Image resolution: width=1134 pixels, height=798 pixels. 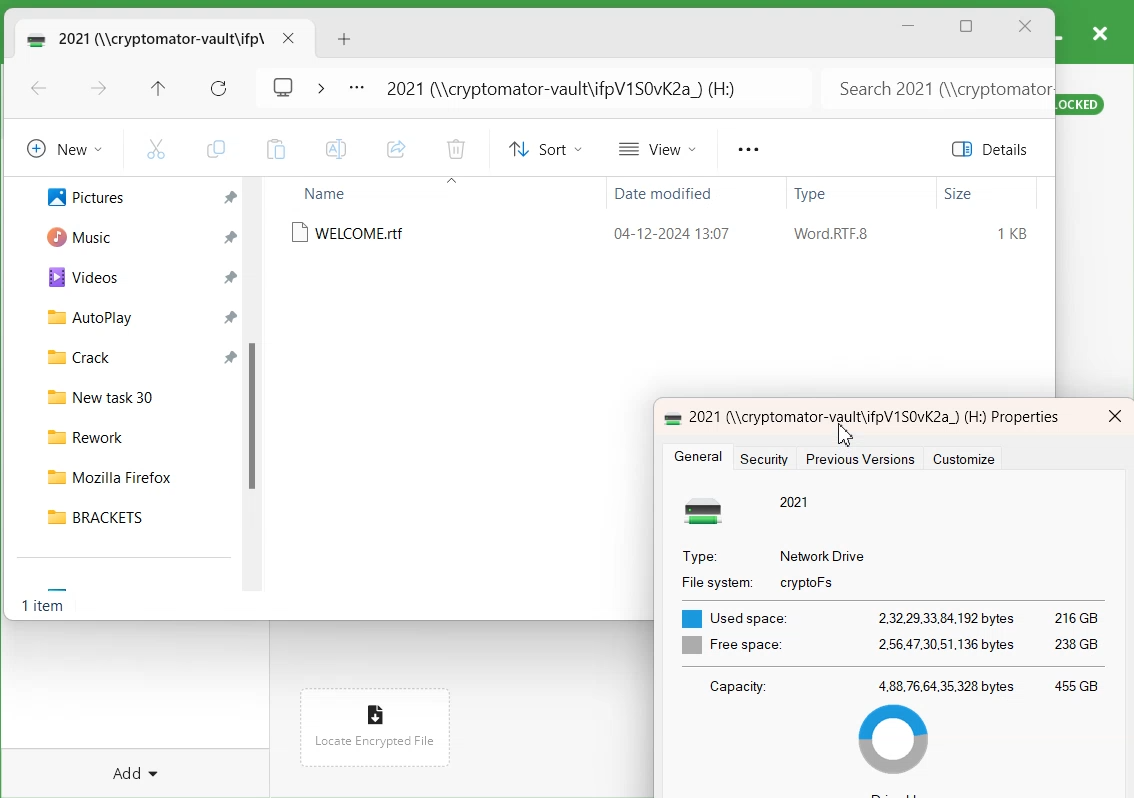 I want to click on icon, so click(x=710, y=511).